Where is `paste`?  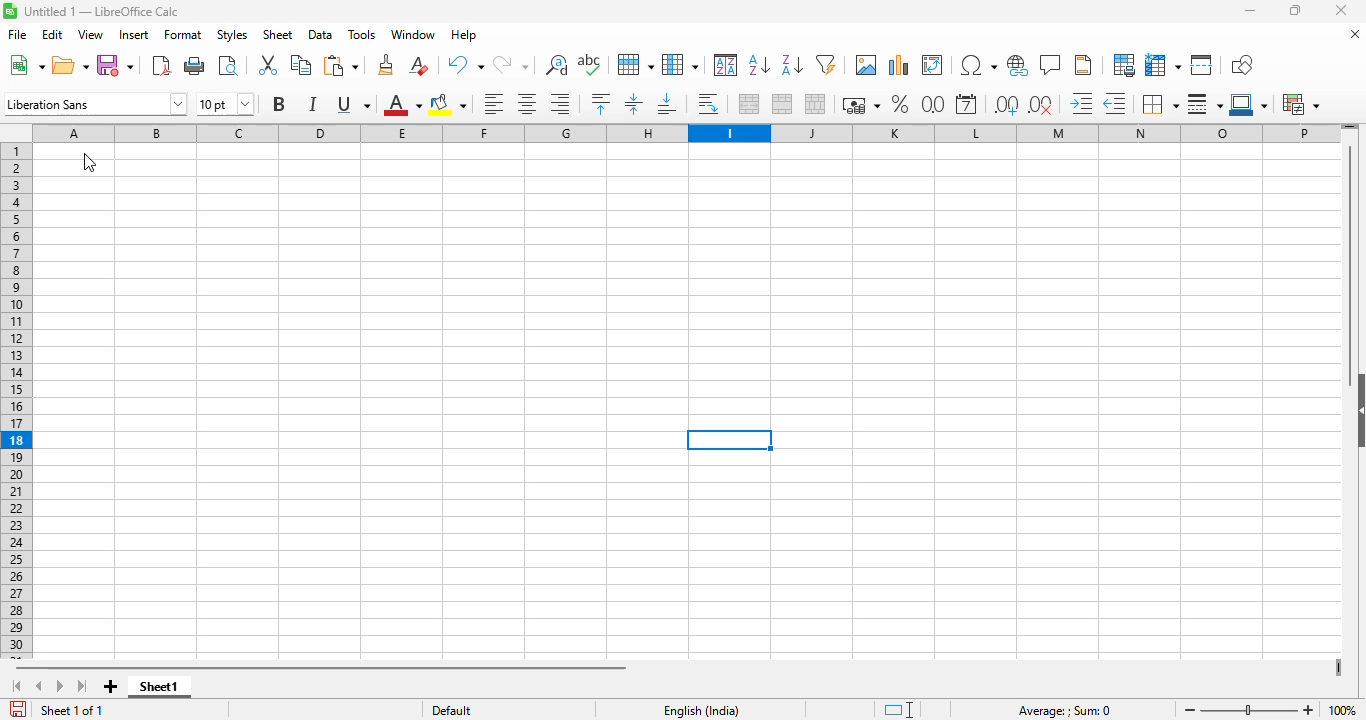
paste is located at coordinates (340, 65).